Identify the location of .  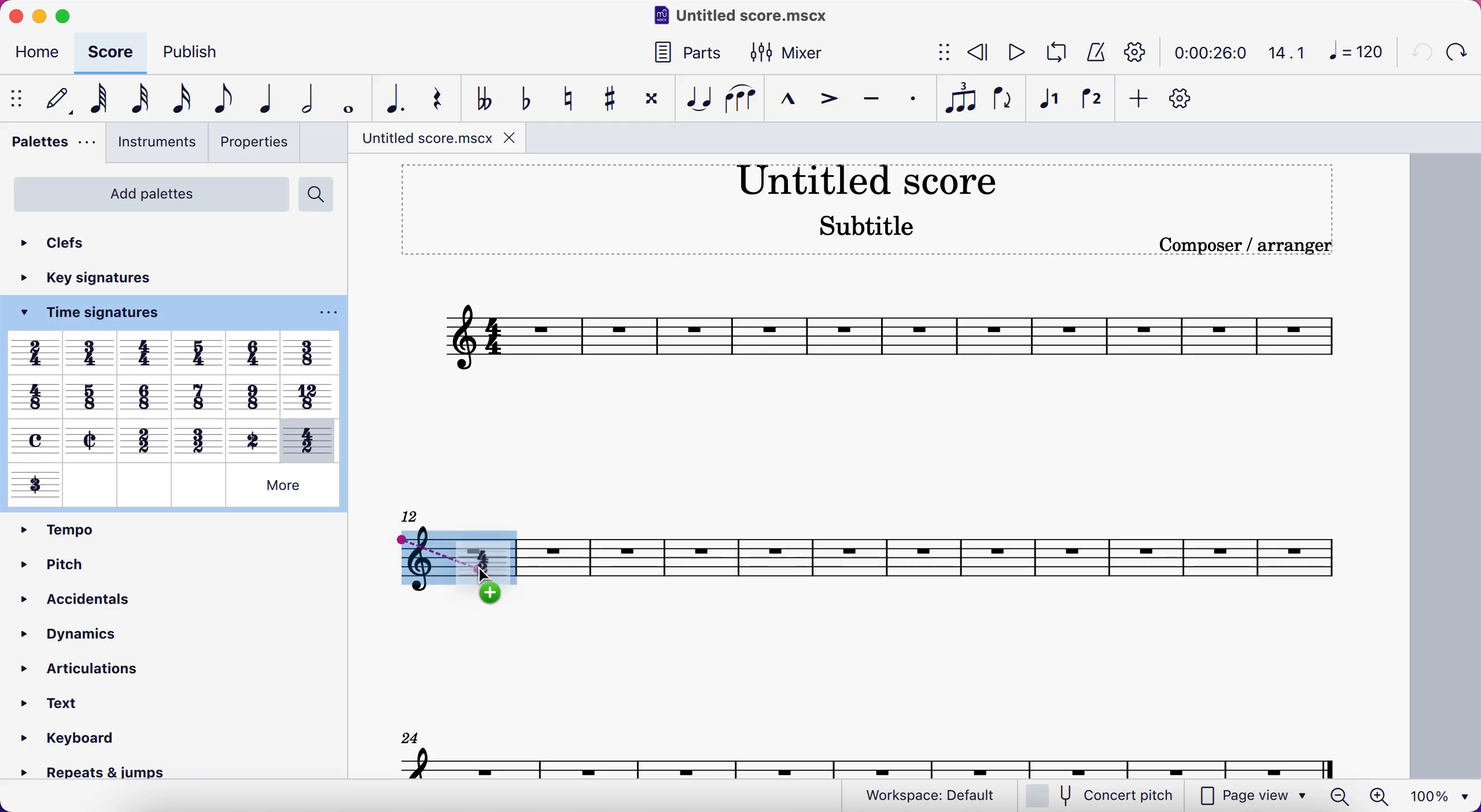
(197, 487).